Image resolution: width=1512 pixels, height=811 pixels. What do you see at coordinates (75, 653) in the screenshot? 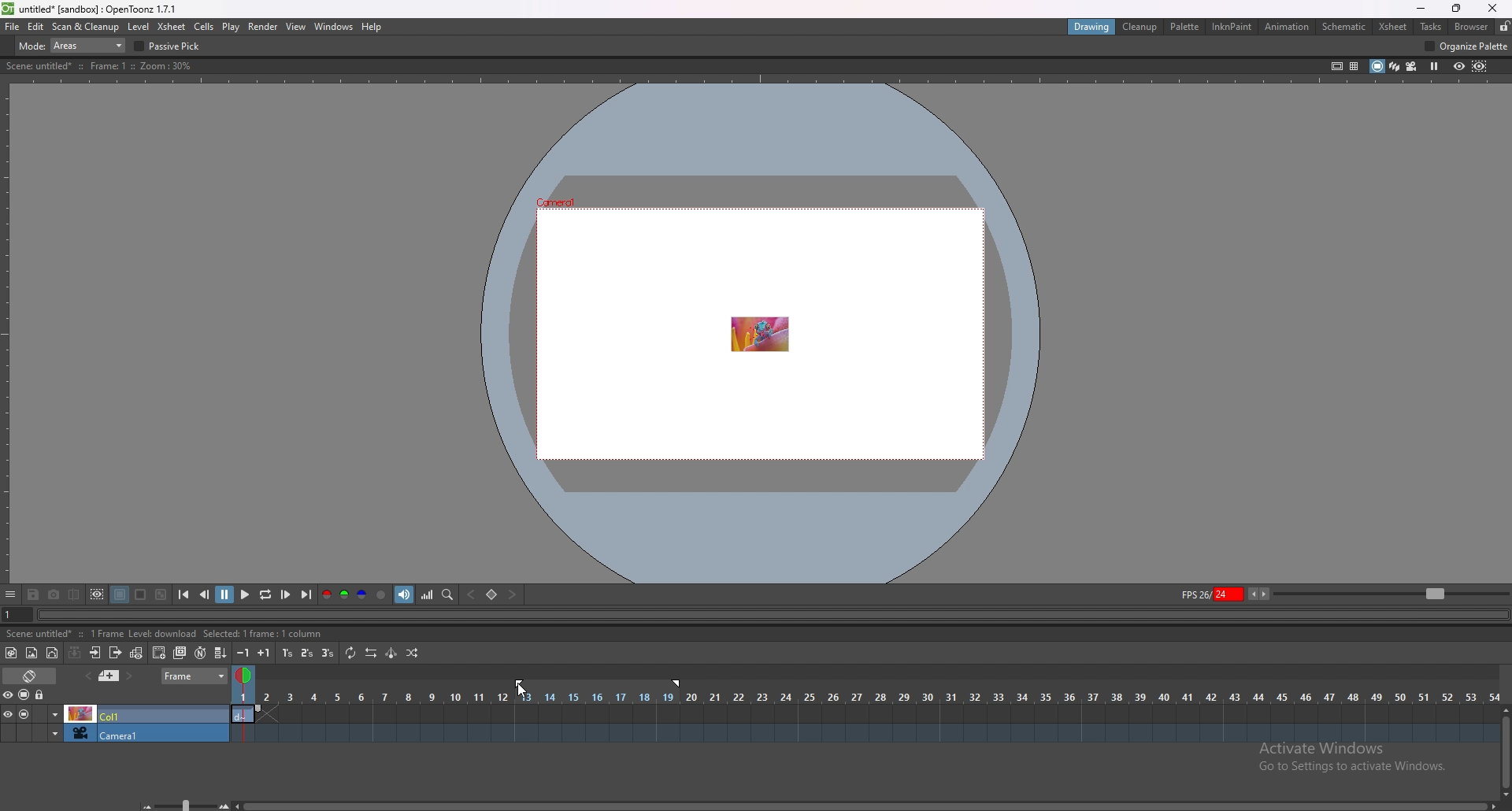
I see `collapse` at bounding box center [75, 653].